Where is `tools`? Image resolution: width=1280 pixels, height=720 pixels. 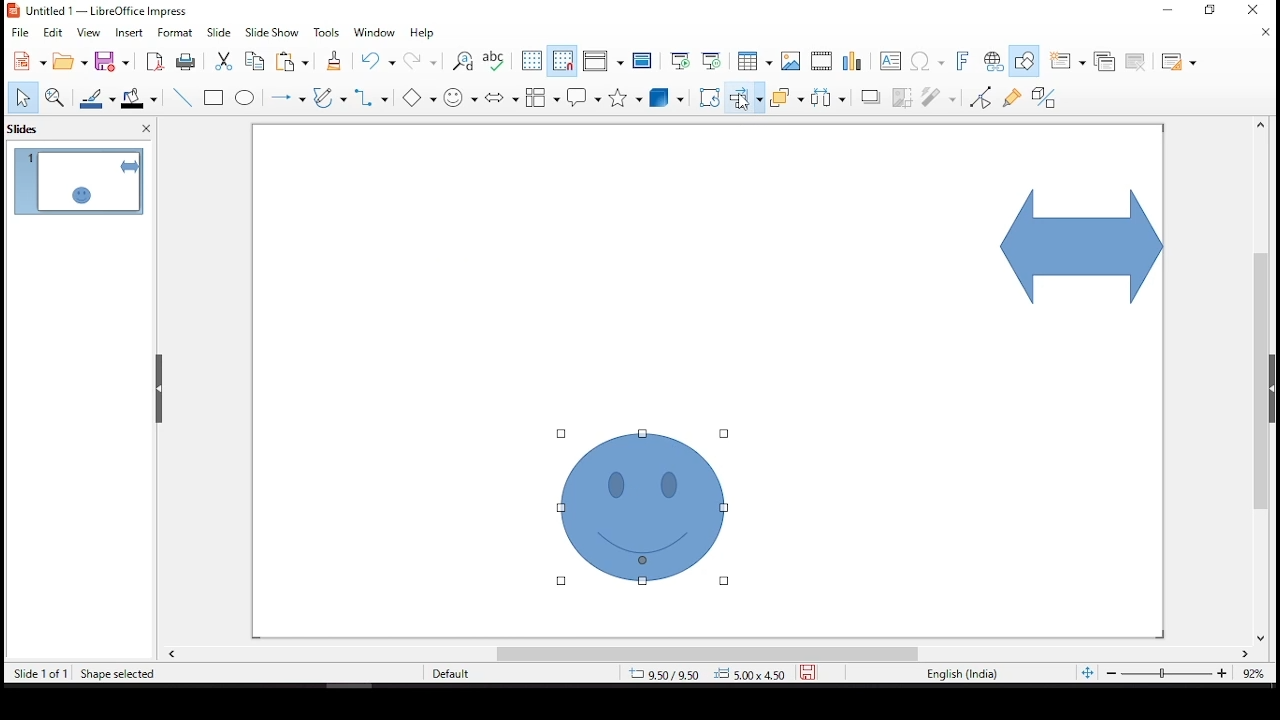
tools is located at coordinates (327, 33).